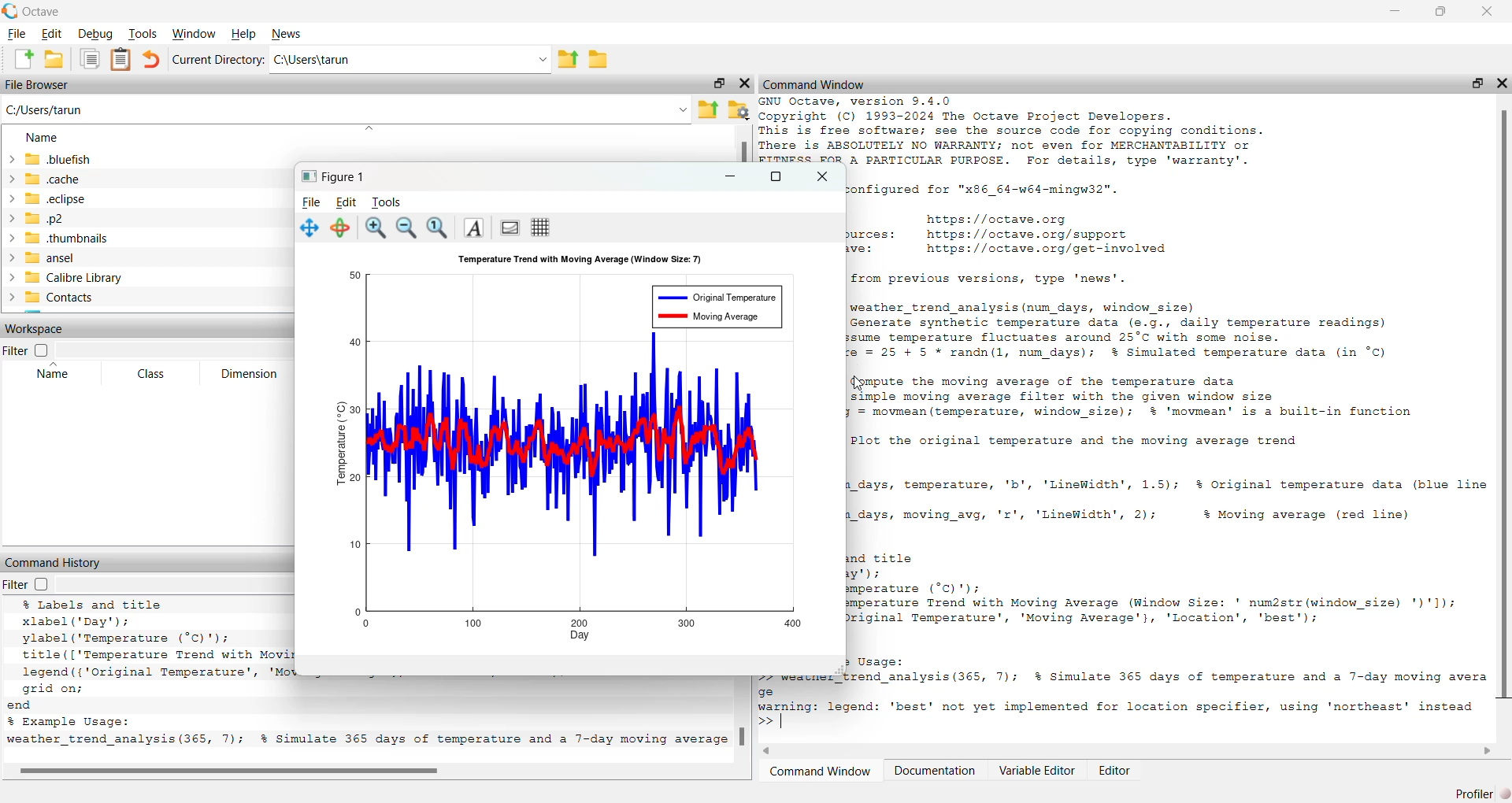 Image resolution: width=1512 pixels, height=803 pixels. What do you see at coordinates (720, 82) in the screenshot?
I see `Maximize` at bounding box center [720, 82].